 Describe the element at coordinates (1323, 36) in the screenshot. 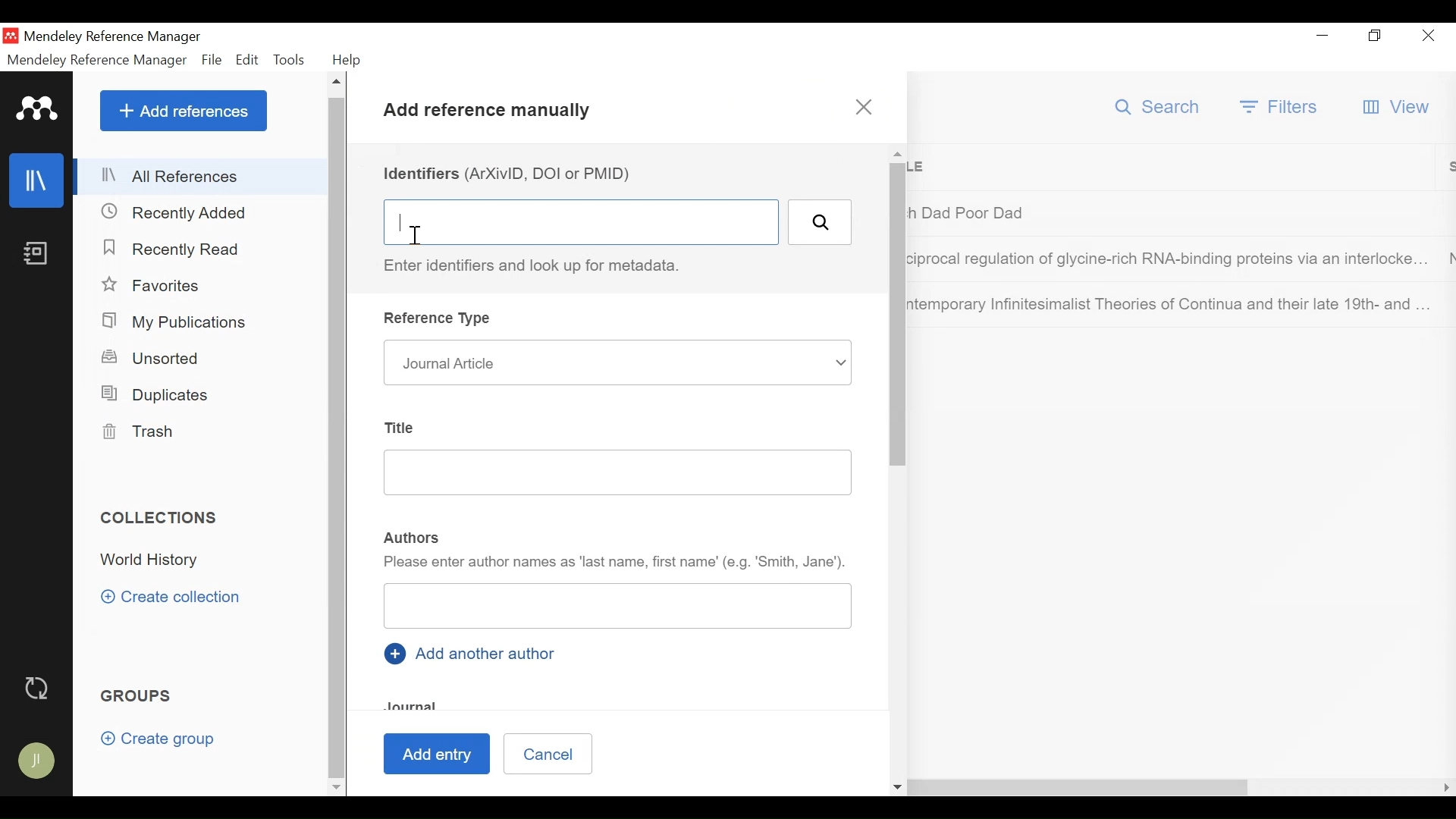

I see `minimize` at that location.